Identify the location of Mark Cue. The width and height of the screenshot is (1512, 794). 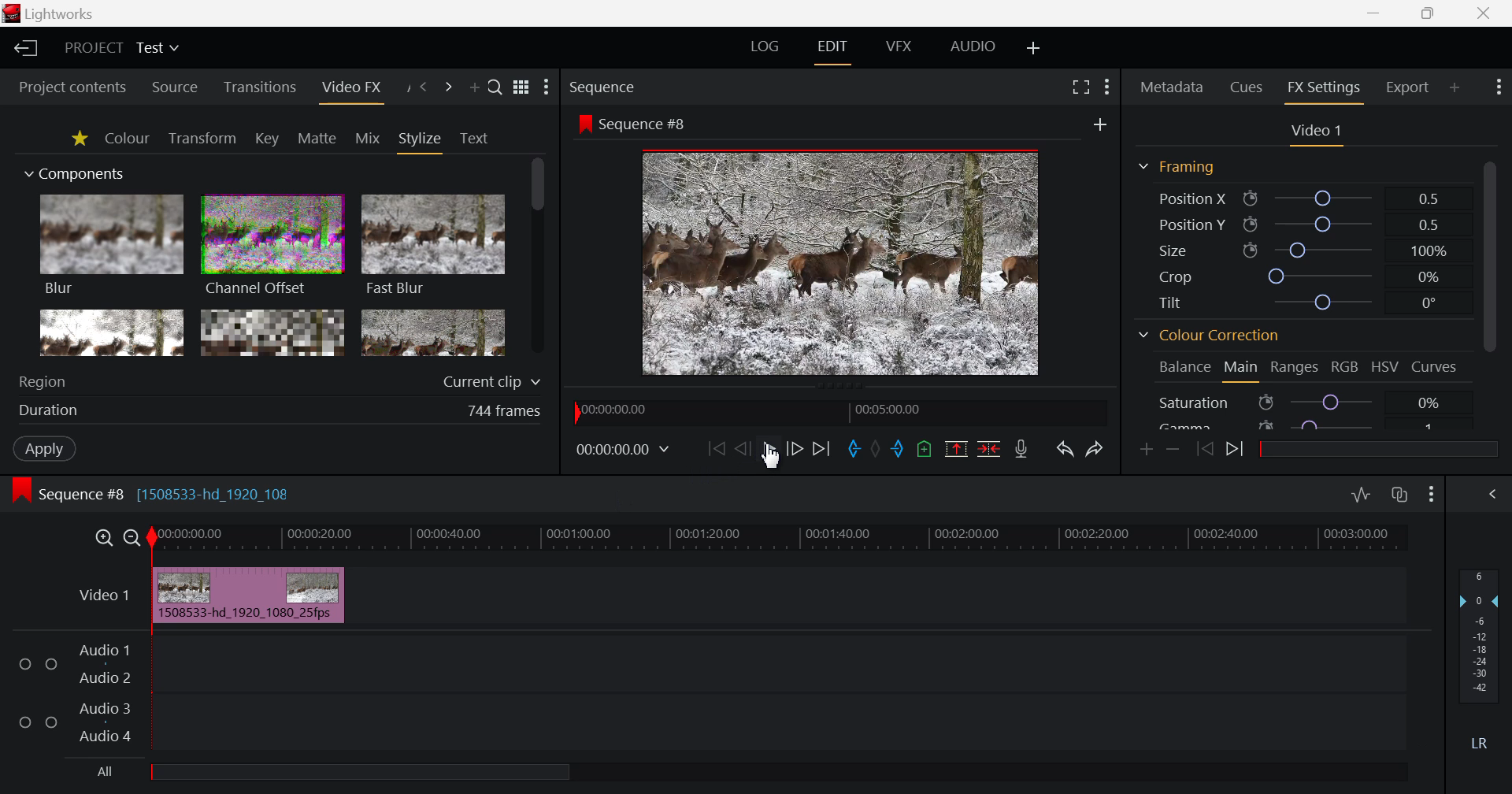
(925, 448).